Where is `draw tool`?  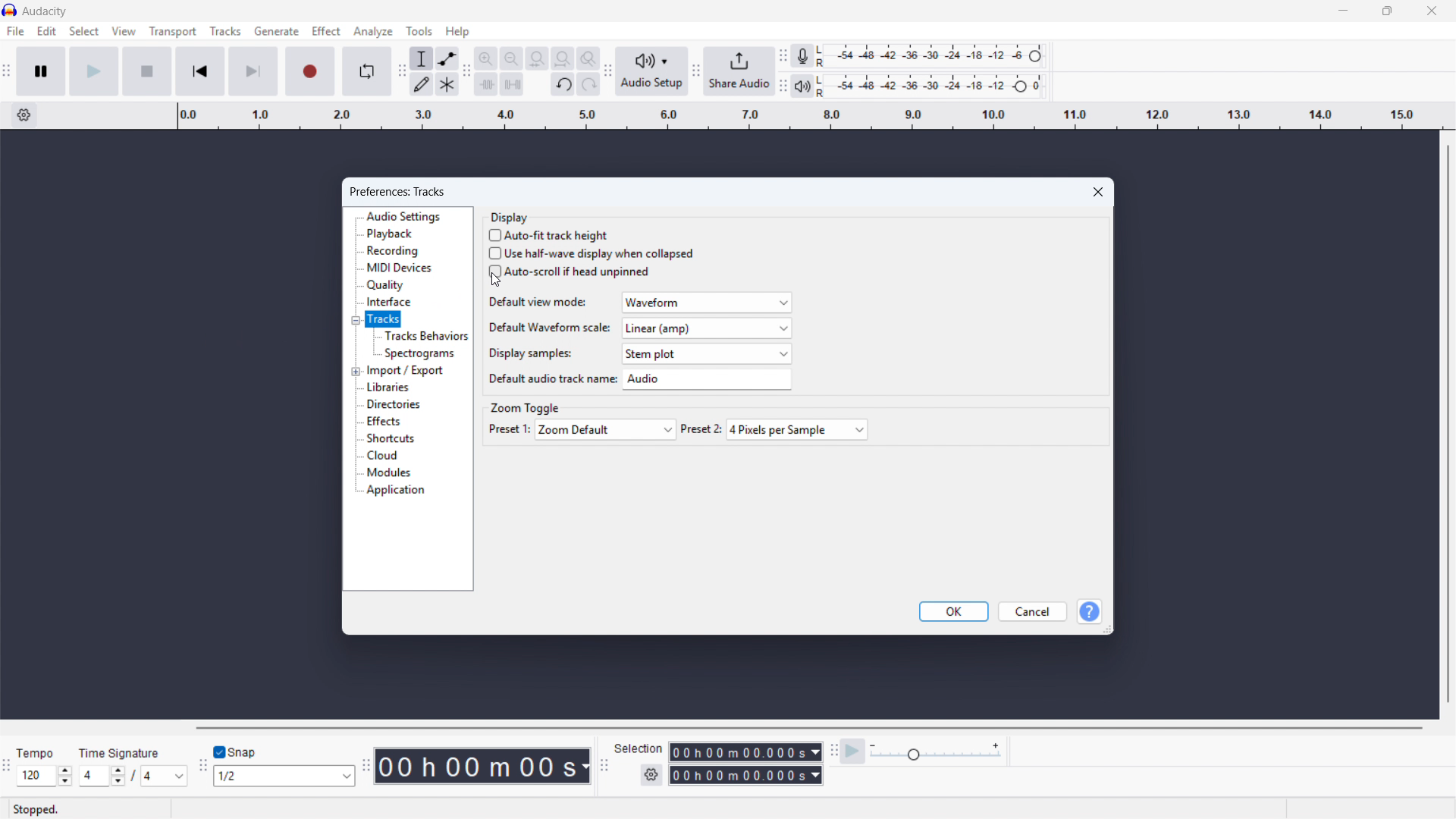
draw tool is located at coordinates (422, 83).